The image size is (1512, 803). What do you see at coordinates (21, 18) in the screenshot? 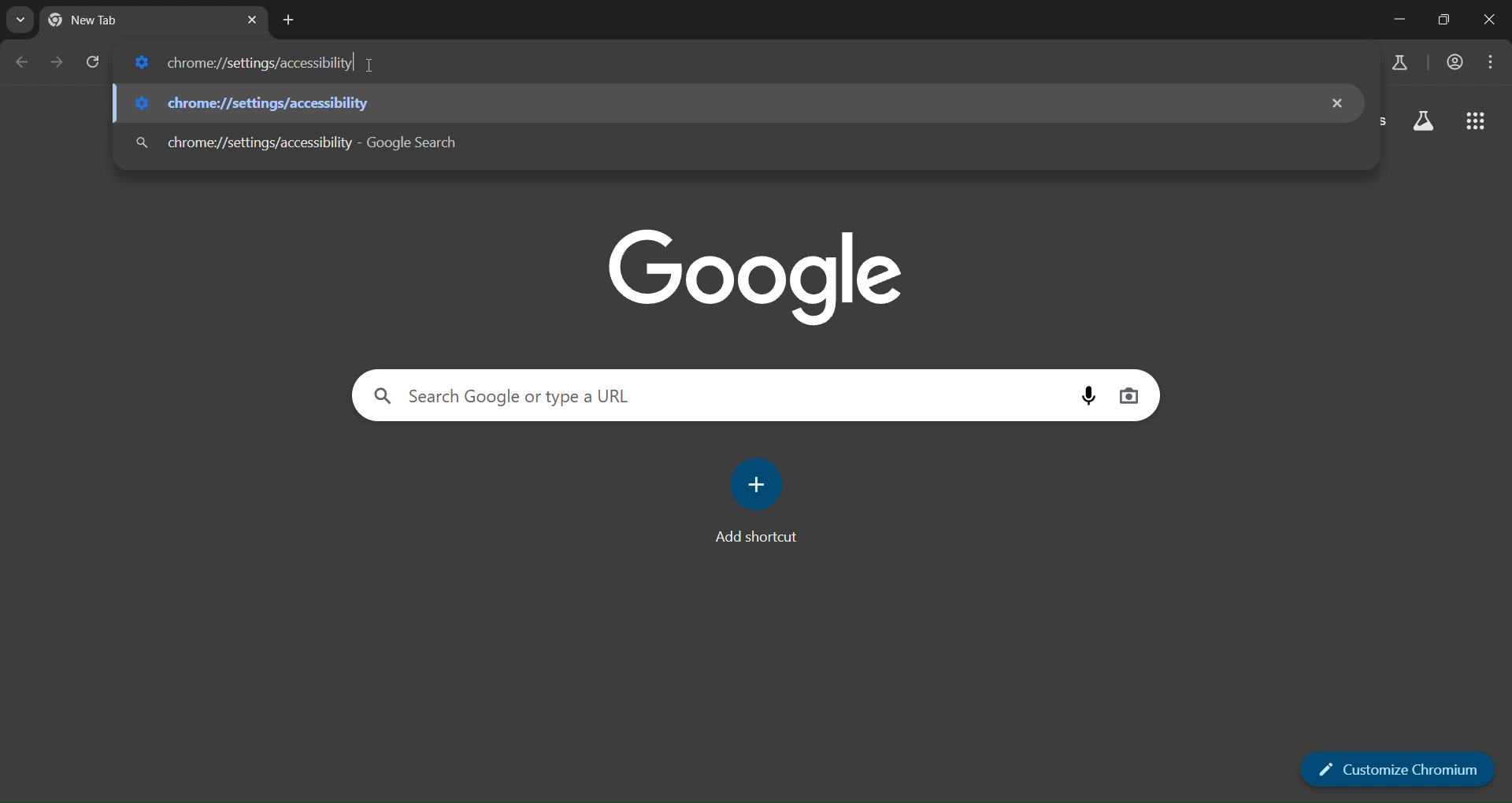
I see `search tabs` at bounding box center [21, 18].